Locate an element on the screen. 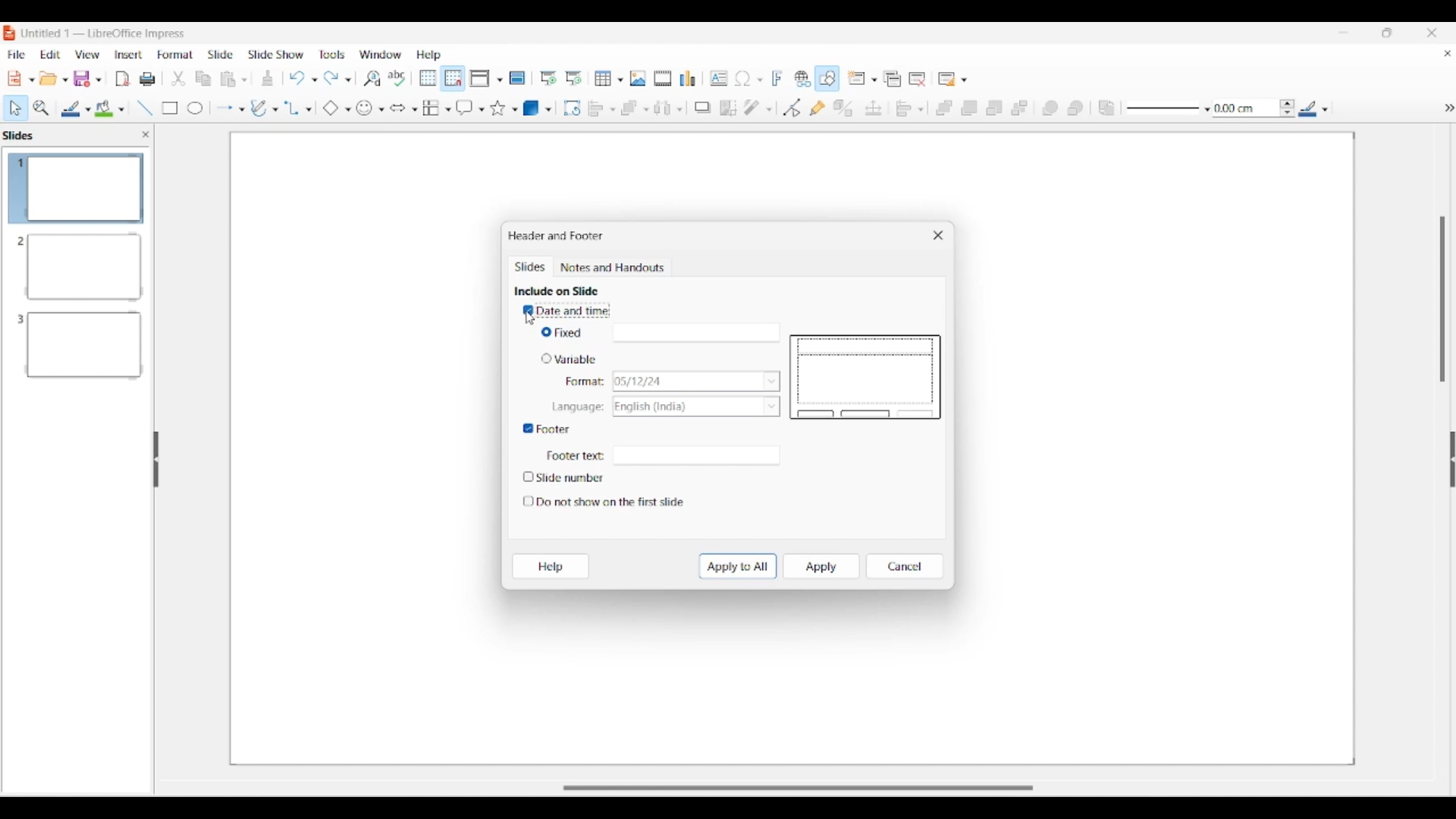  List options for respective Variable characteristics is located at coordinates (697, 394).